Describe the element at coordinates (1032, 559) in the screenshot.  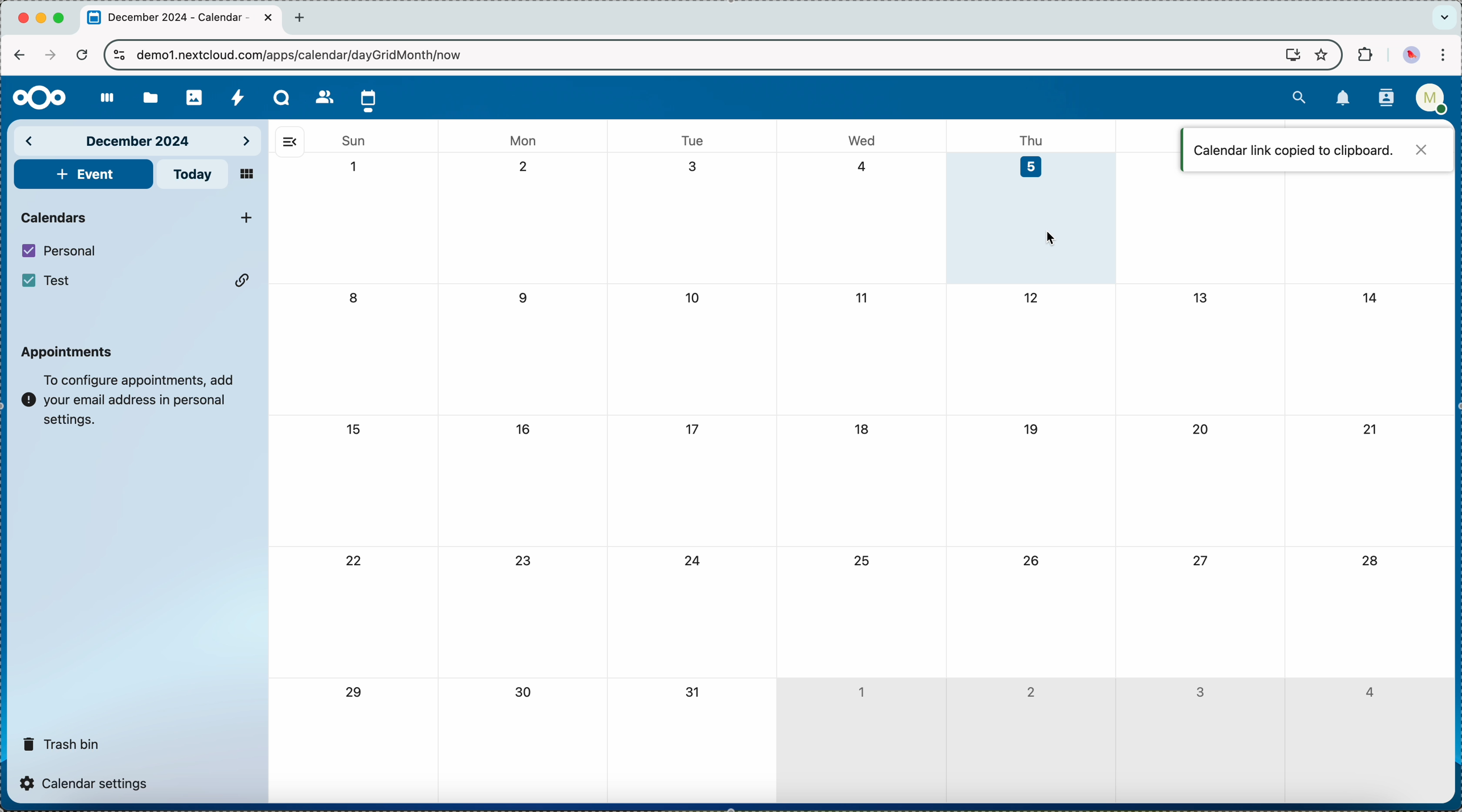
I see `26` at that location.